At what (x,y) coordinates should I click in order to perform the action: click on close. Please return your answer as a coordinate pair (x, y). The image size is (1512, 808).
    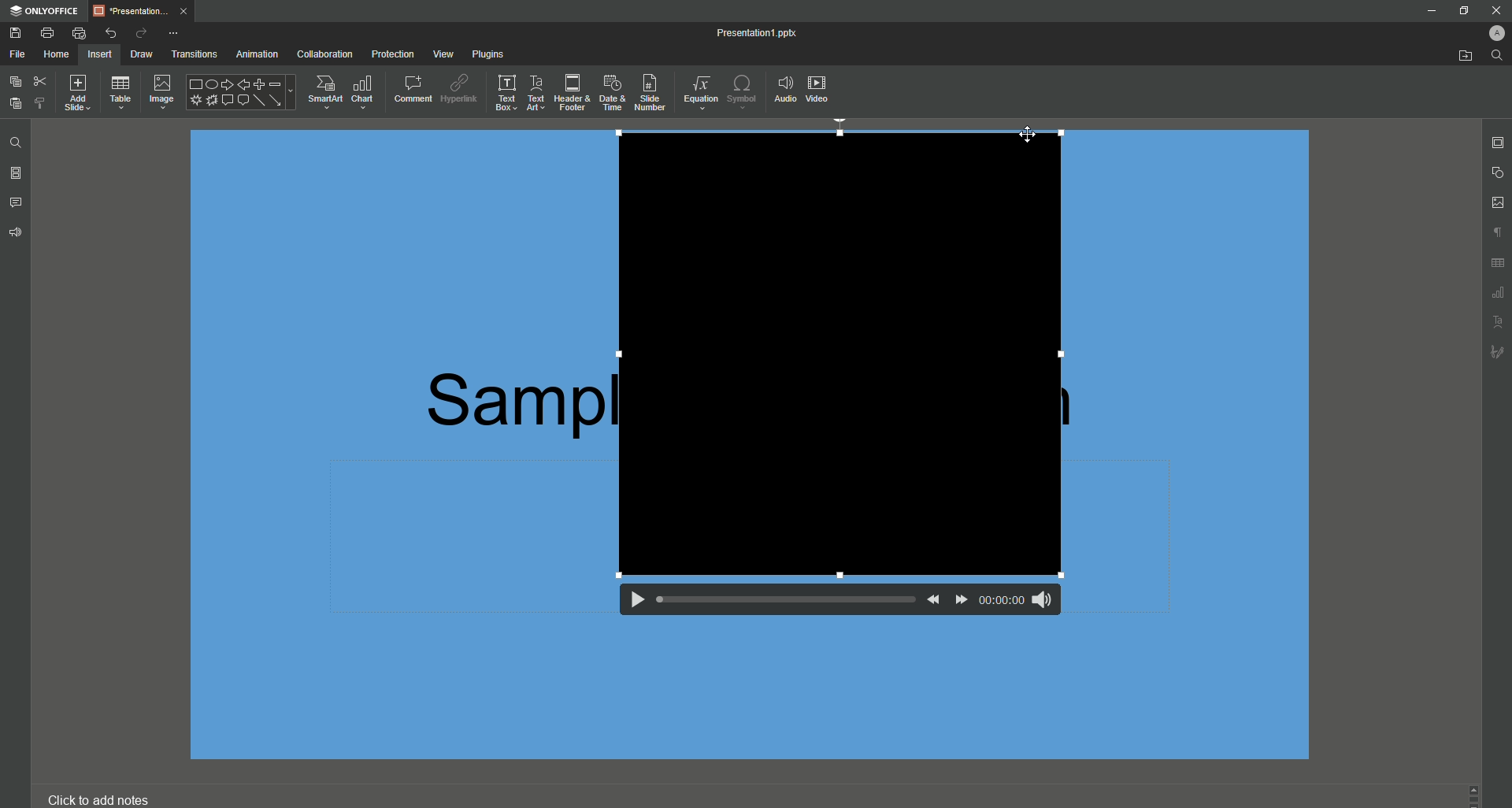
    Looking at the image, I should click on (1497, 10).